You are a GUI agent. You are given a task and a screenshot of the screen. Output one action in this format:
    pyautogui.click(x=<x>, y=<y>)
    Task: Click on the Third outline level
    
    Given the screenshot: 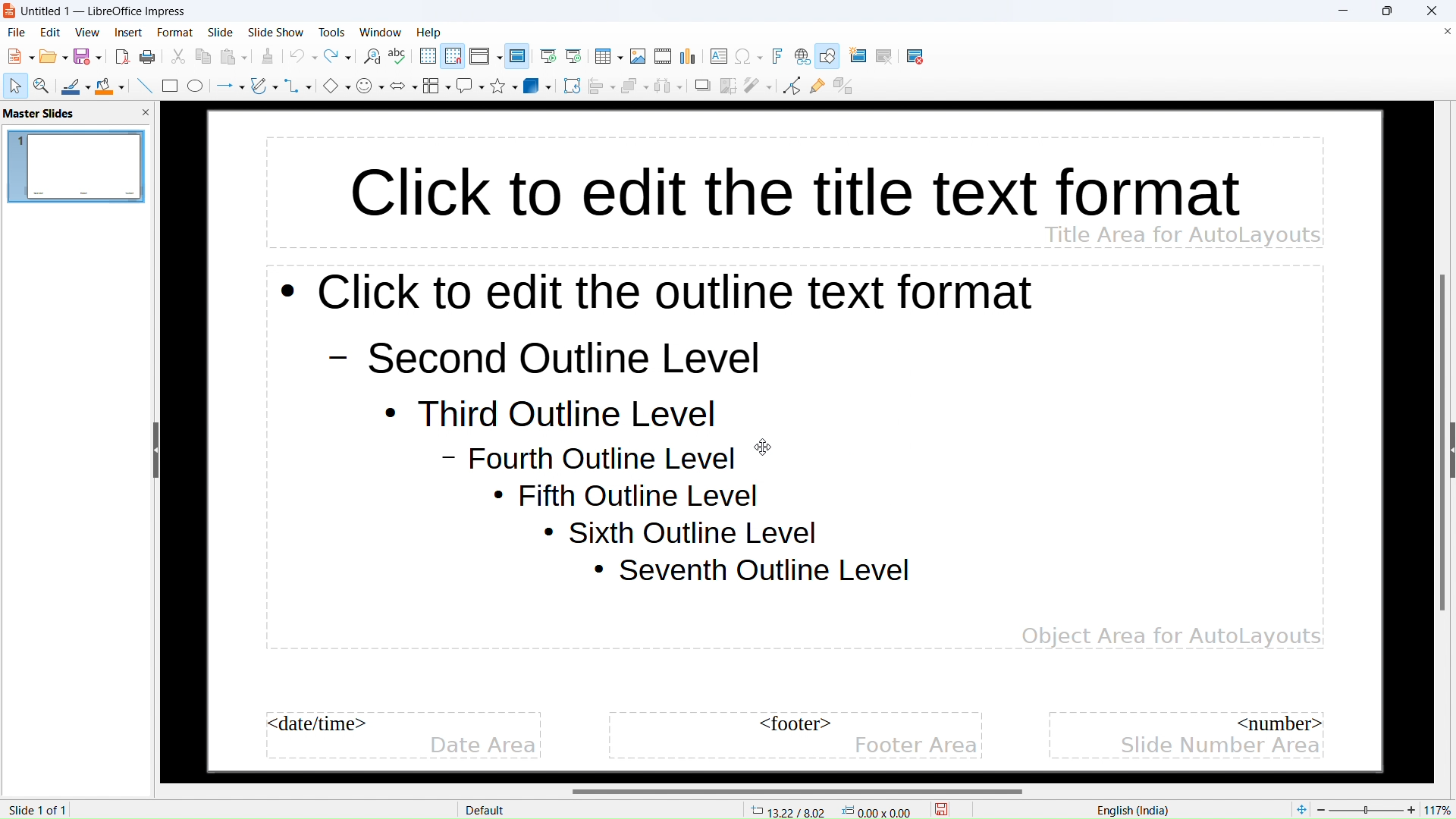 What is the action you would take?
    pyautogui.click(x=543, y=412)
    